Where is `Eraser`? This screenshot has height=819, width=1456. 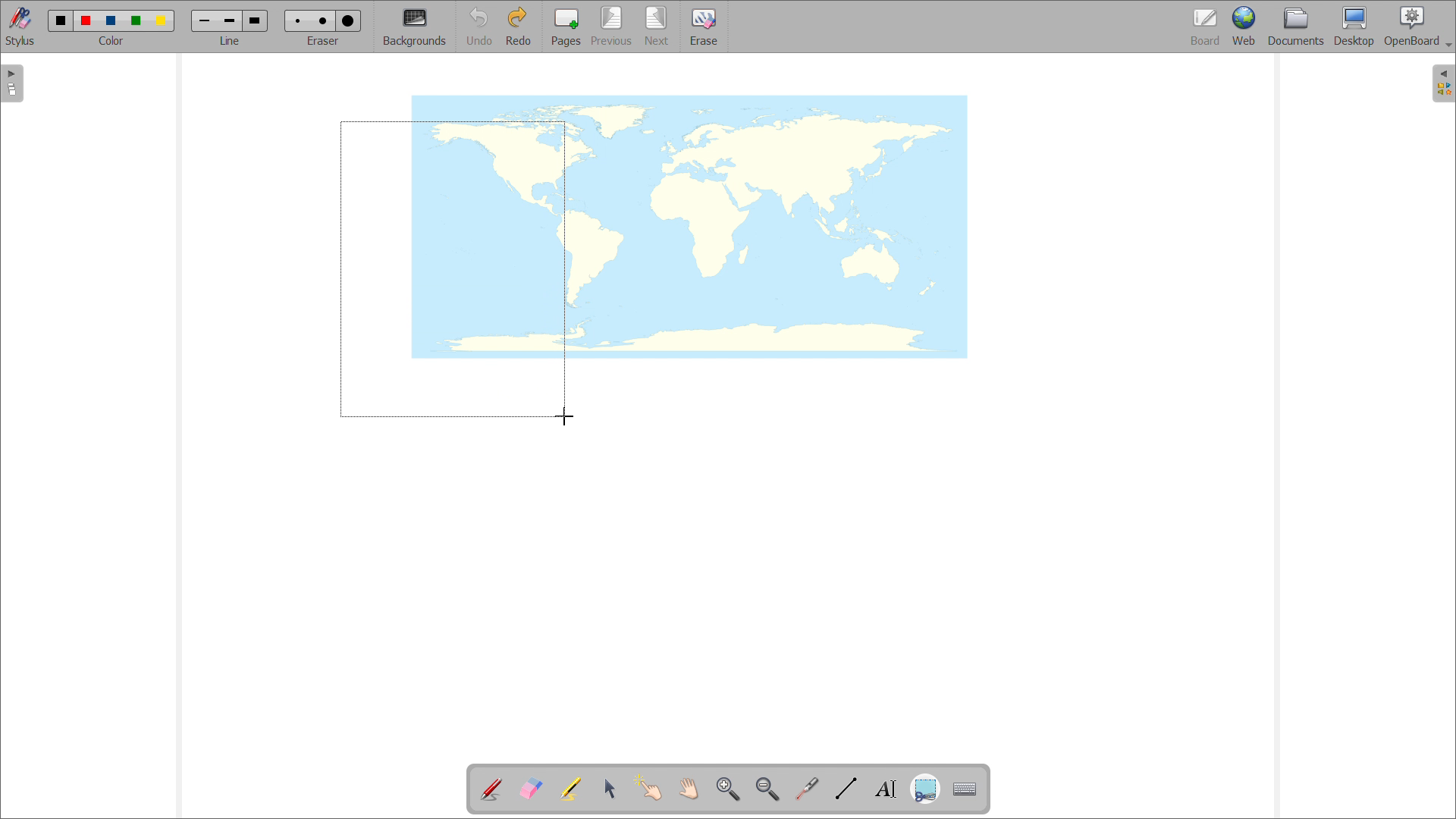
Eraser is located at coordinates (325, 40).